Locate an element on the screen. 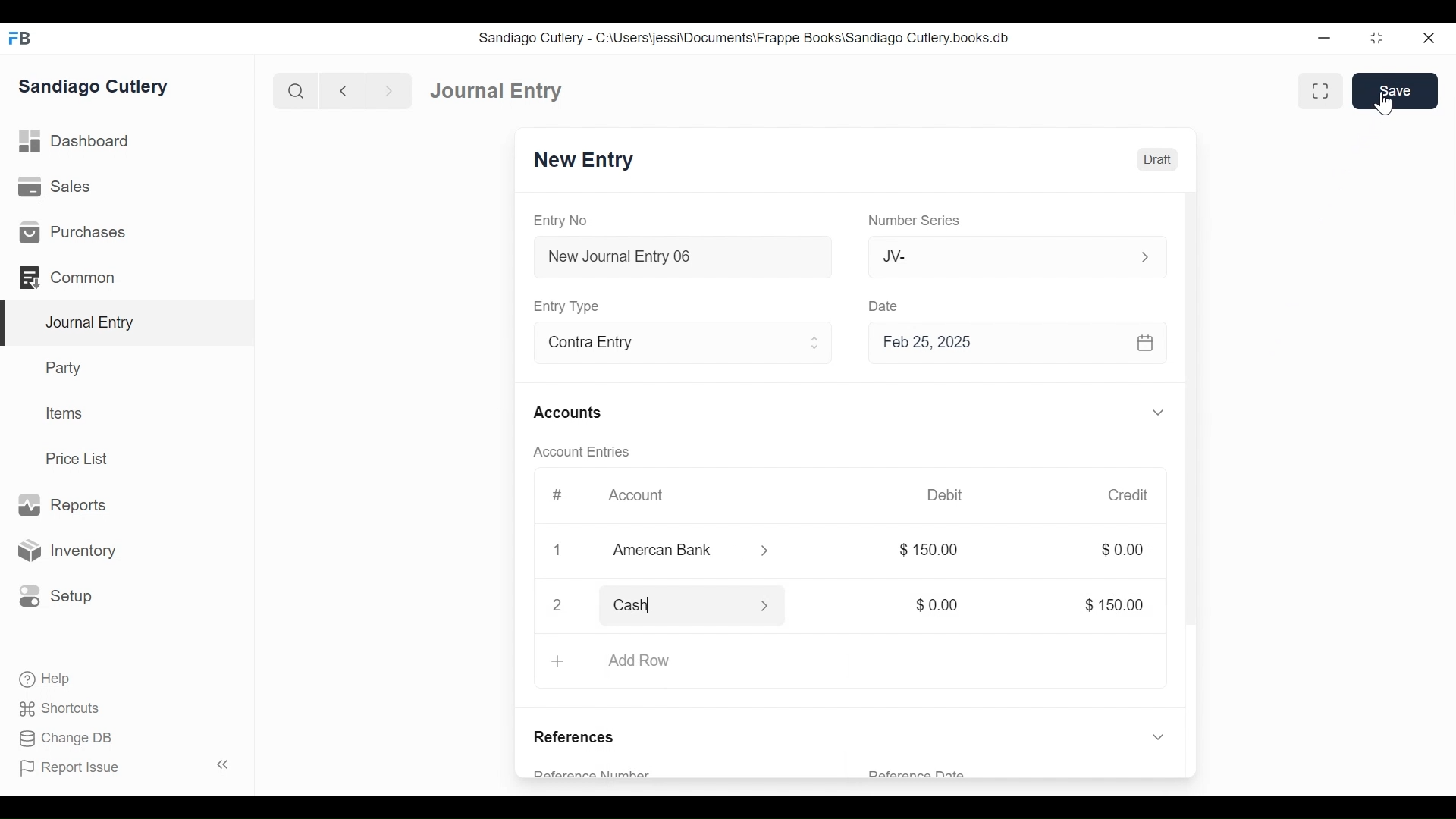 This screenshot has width=1456, height=819. References is located at coordinates (579, 739).